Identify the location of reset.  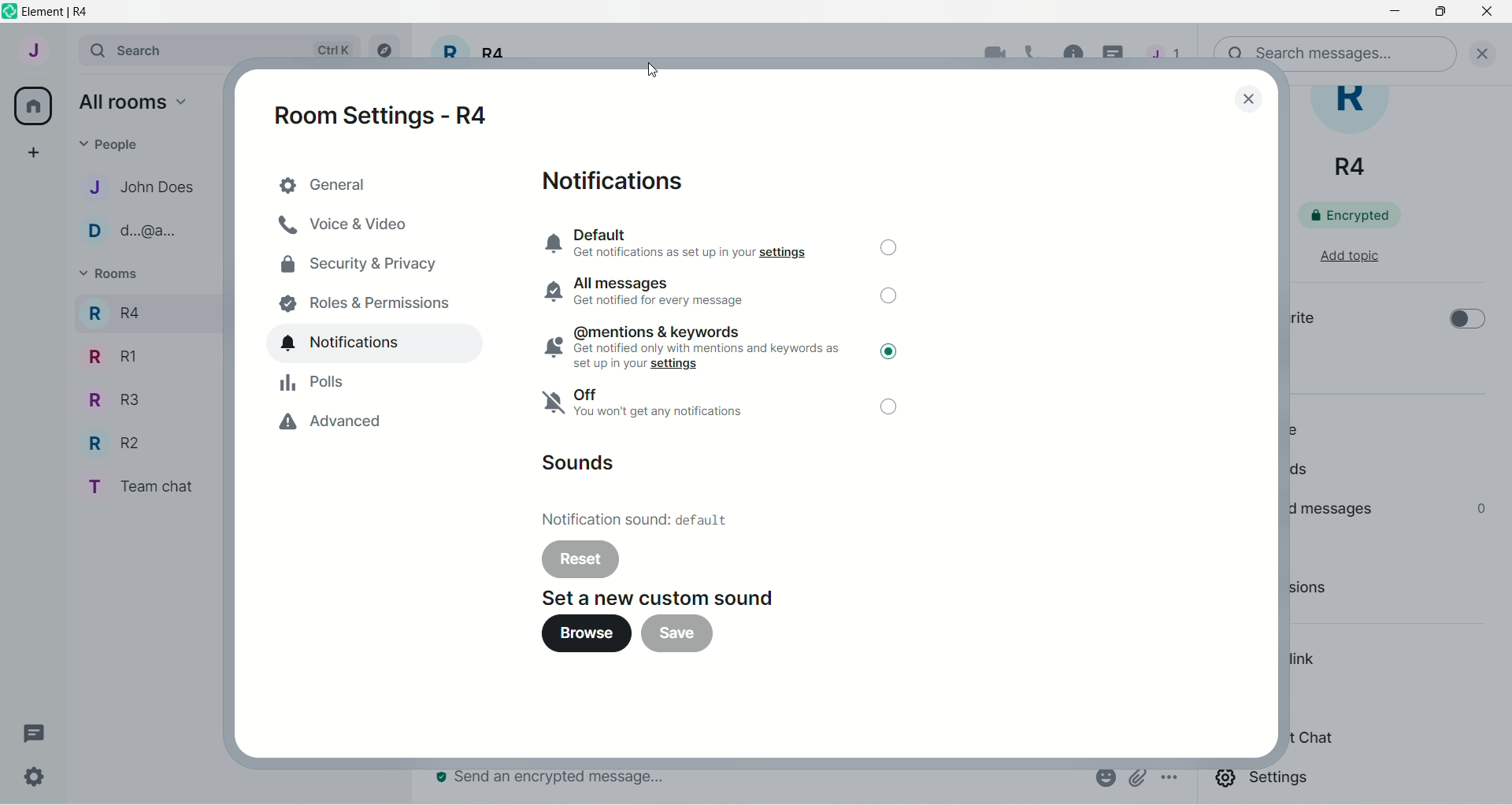
(580, 559).